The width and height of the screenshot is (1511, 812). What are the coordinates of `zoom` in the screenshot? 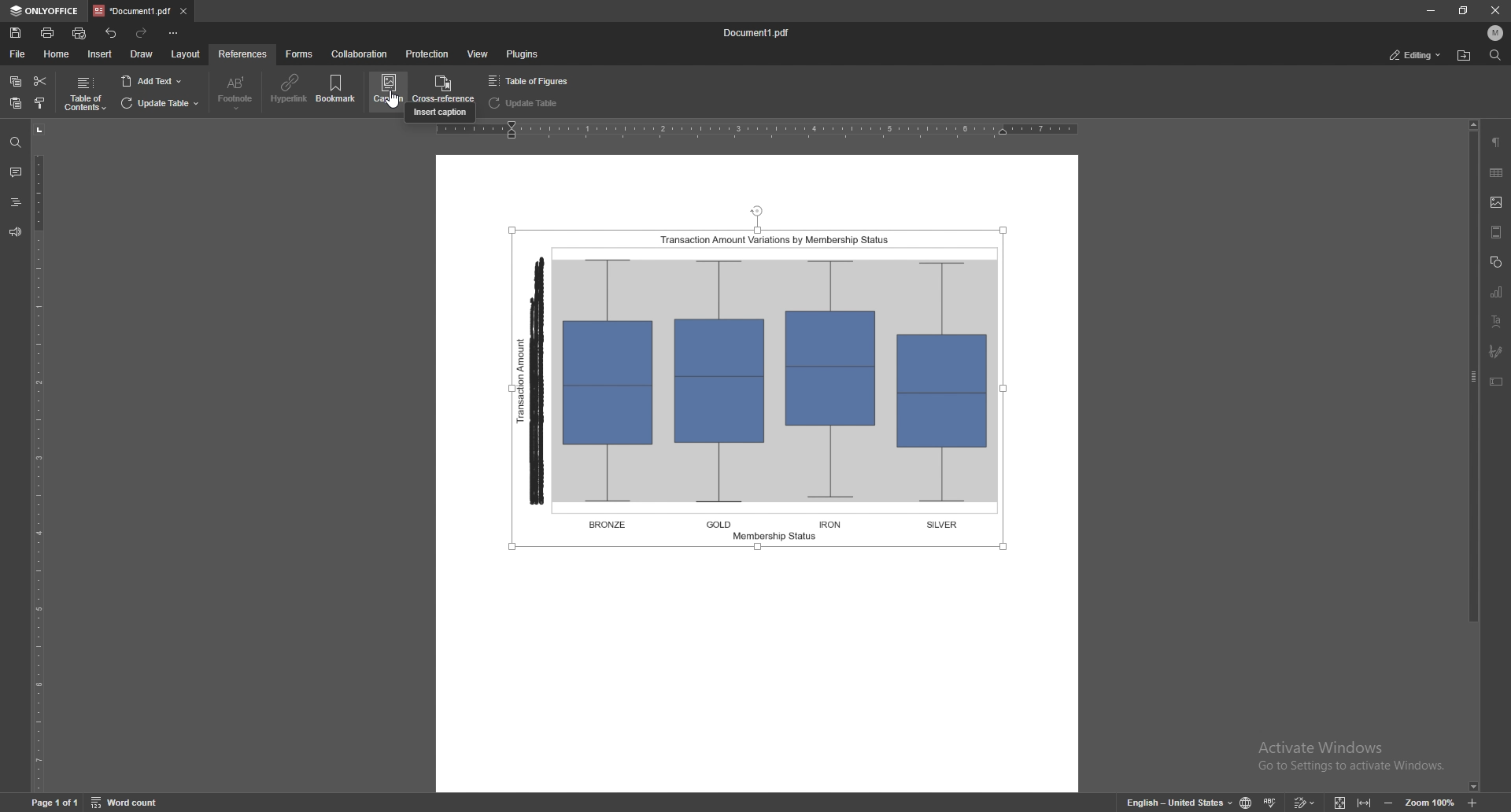 It's located at (1430, 801).